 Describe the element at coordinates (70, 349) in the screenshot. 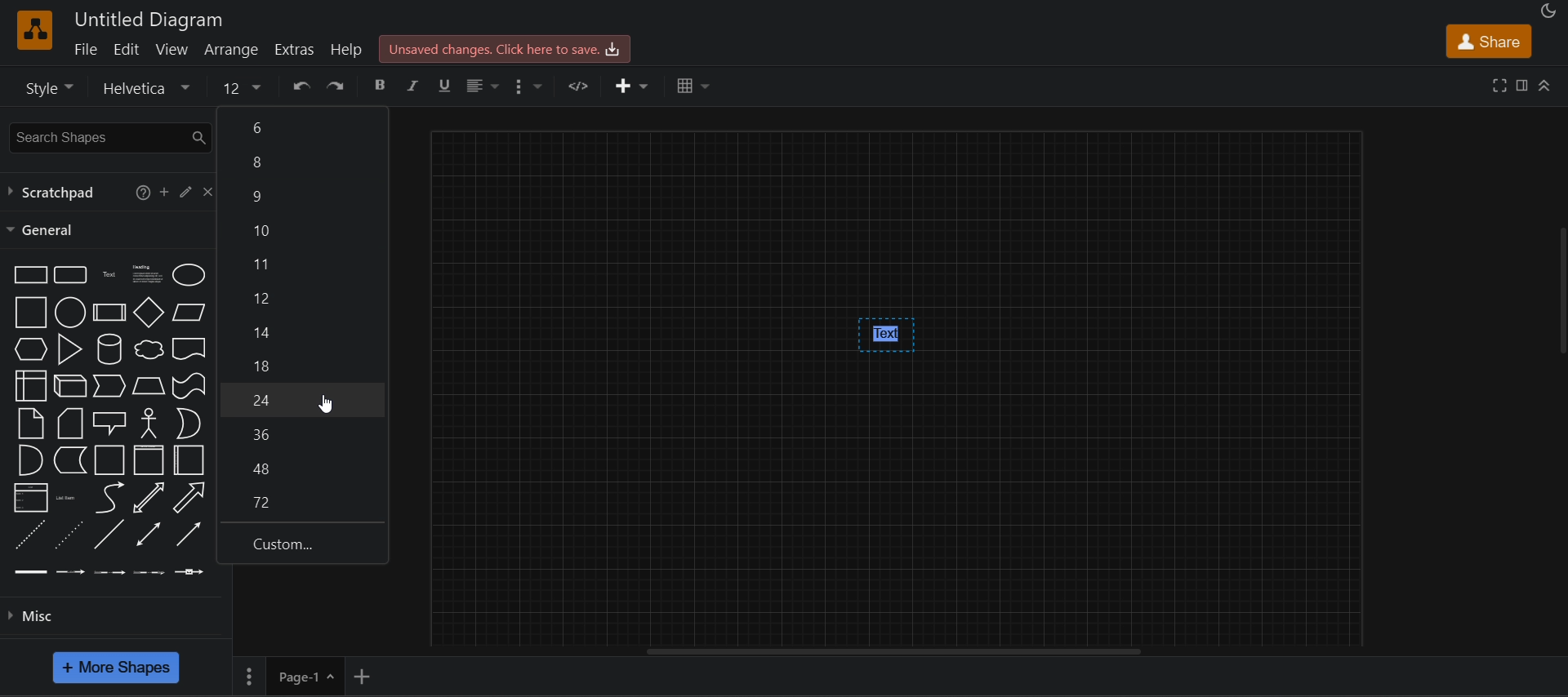

I see `Triangle` at that location.